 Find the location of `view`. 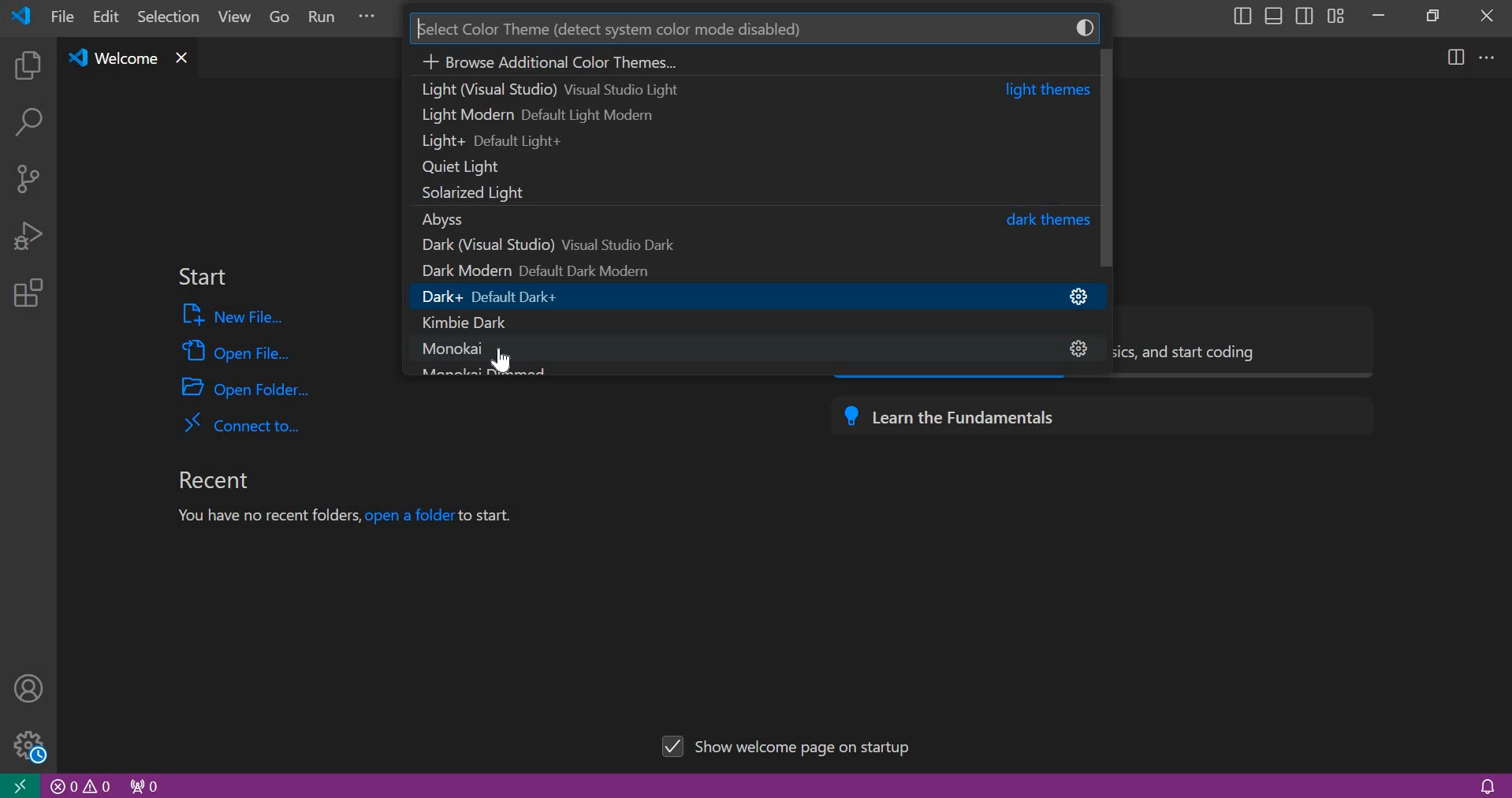

view is located at coordinates (230, 20).